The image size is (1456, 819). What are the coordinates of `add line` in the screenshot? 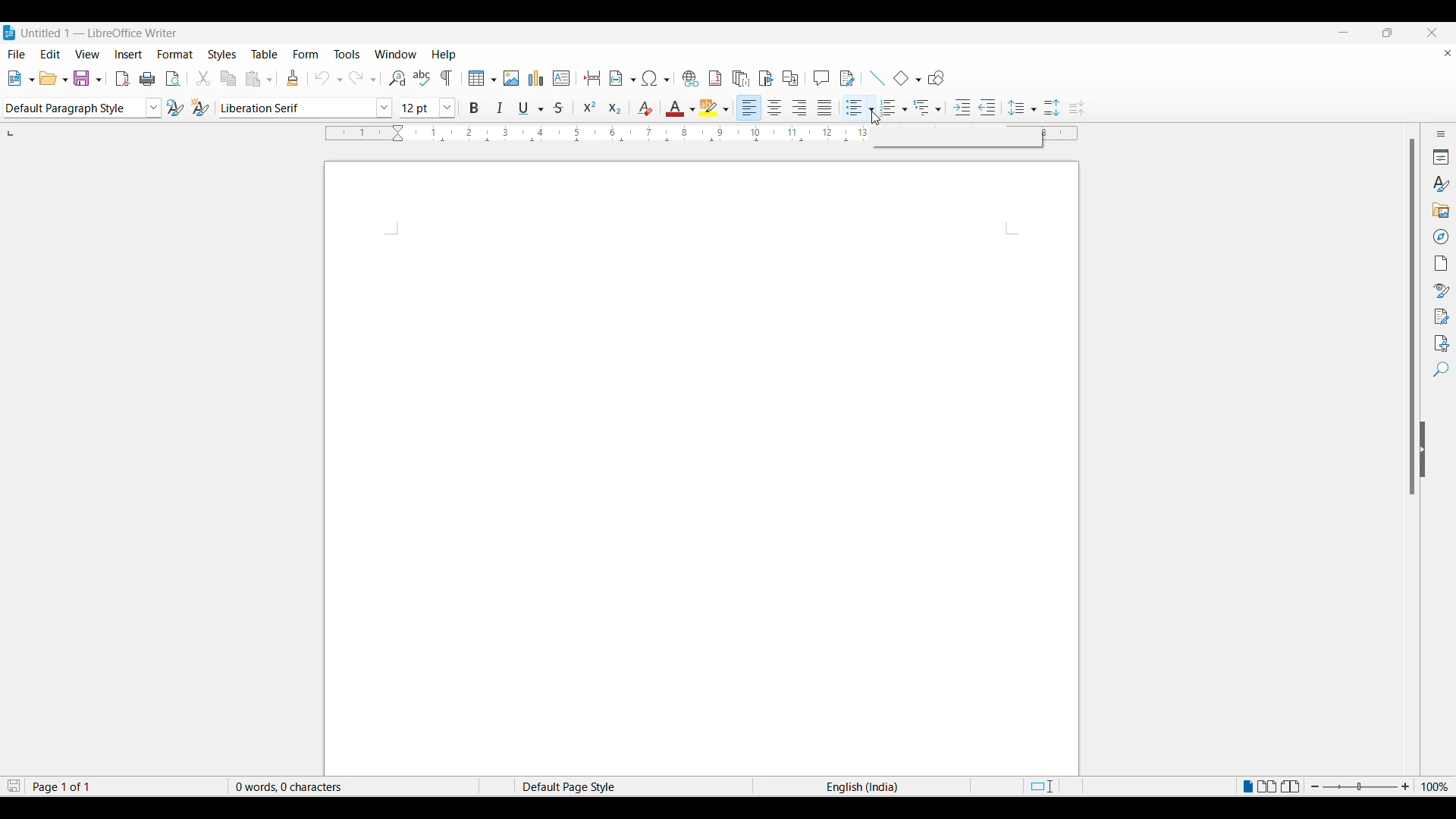 It's located at (875, 77).